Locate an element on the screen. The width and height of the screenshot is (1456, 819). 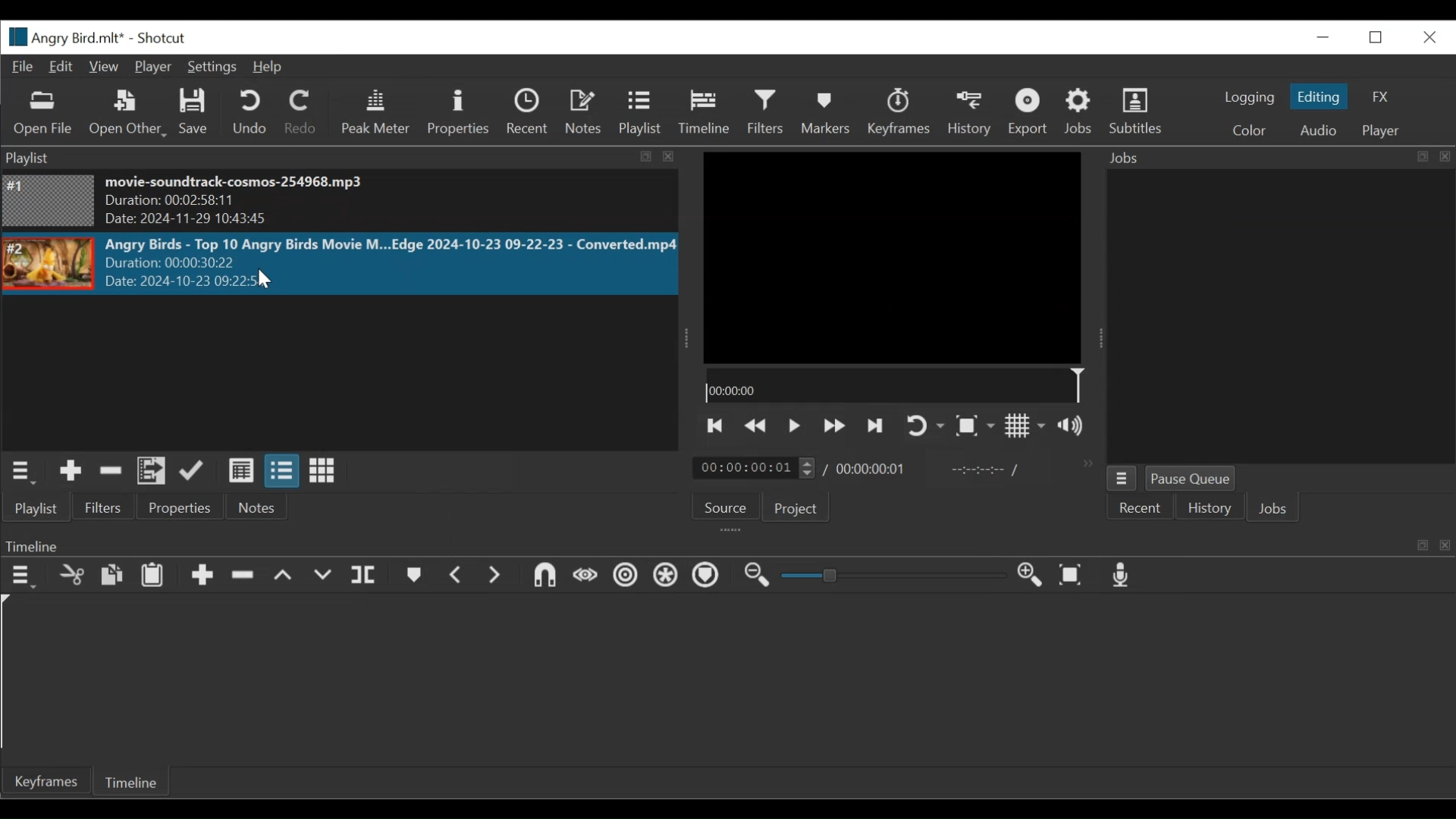
Playlist is located at coordinates (640, 114).